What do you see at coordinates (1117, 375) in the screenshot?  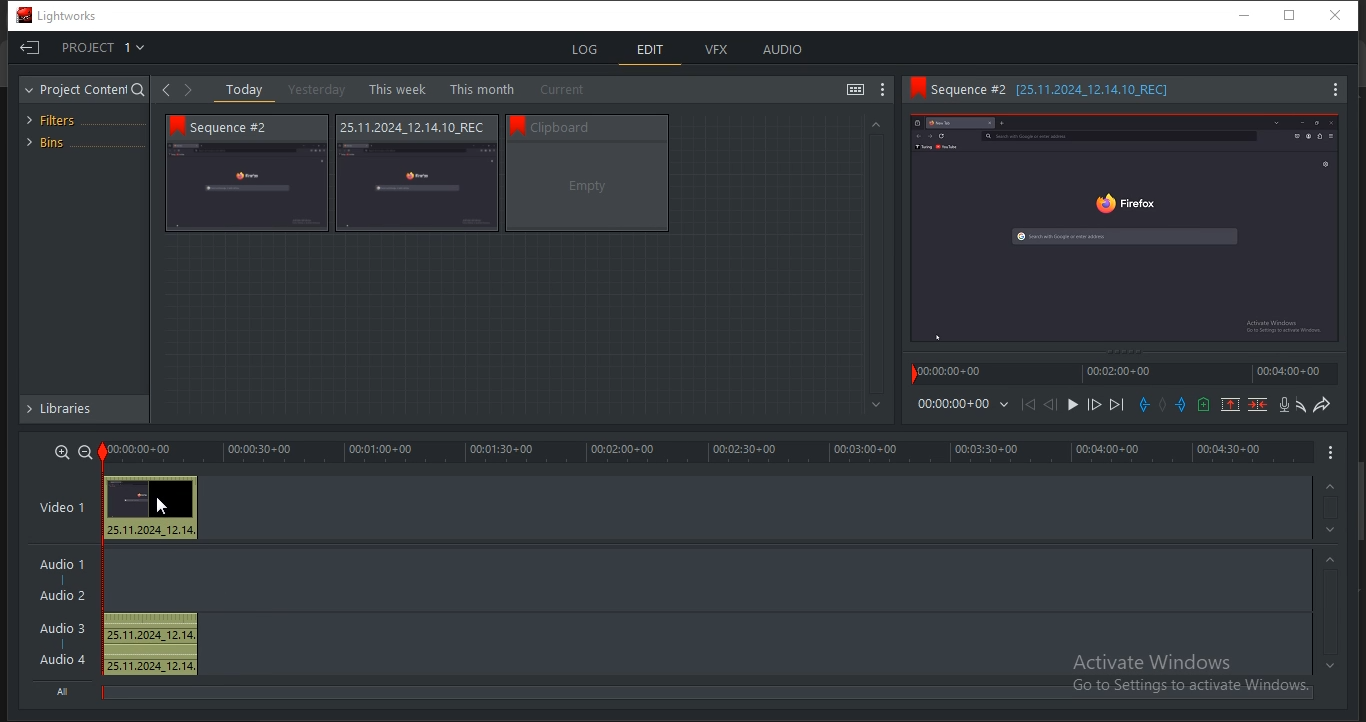 I see `time stamp` at bounding box center [1117, 375].